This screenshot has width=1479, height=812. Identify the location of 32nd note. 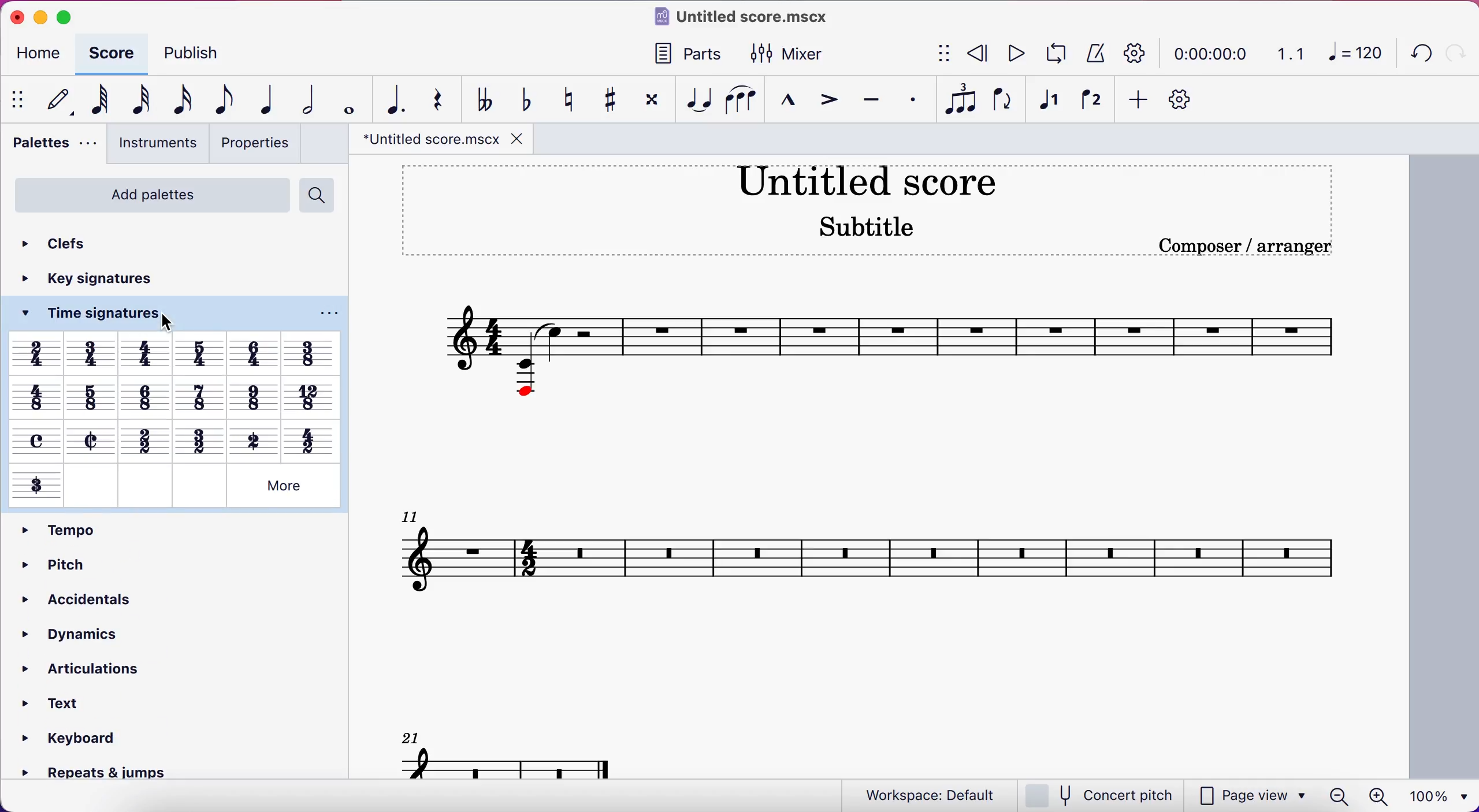
(137, 101).